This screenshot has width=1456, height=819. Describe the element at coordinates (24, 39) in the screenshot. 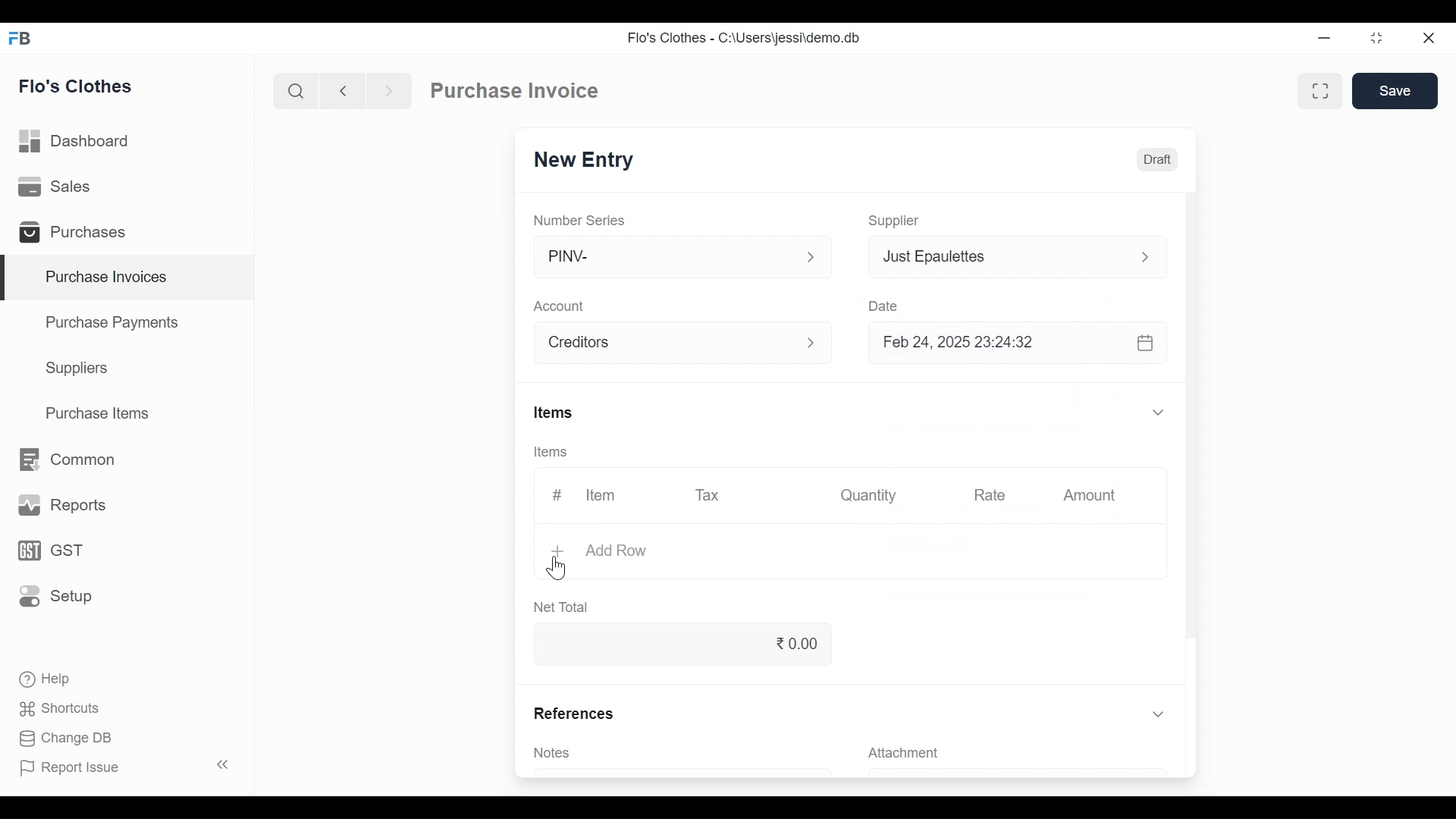

I see `Frappe Desktop icon` at that location.